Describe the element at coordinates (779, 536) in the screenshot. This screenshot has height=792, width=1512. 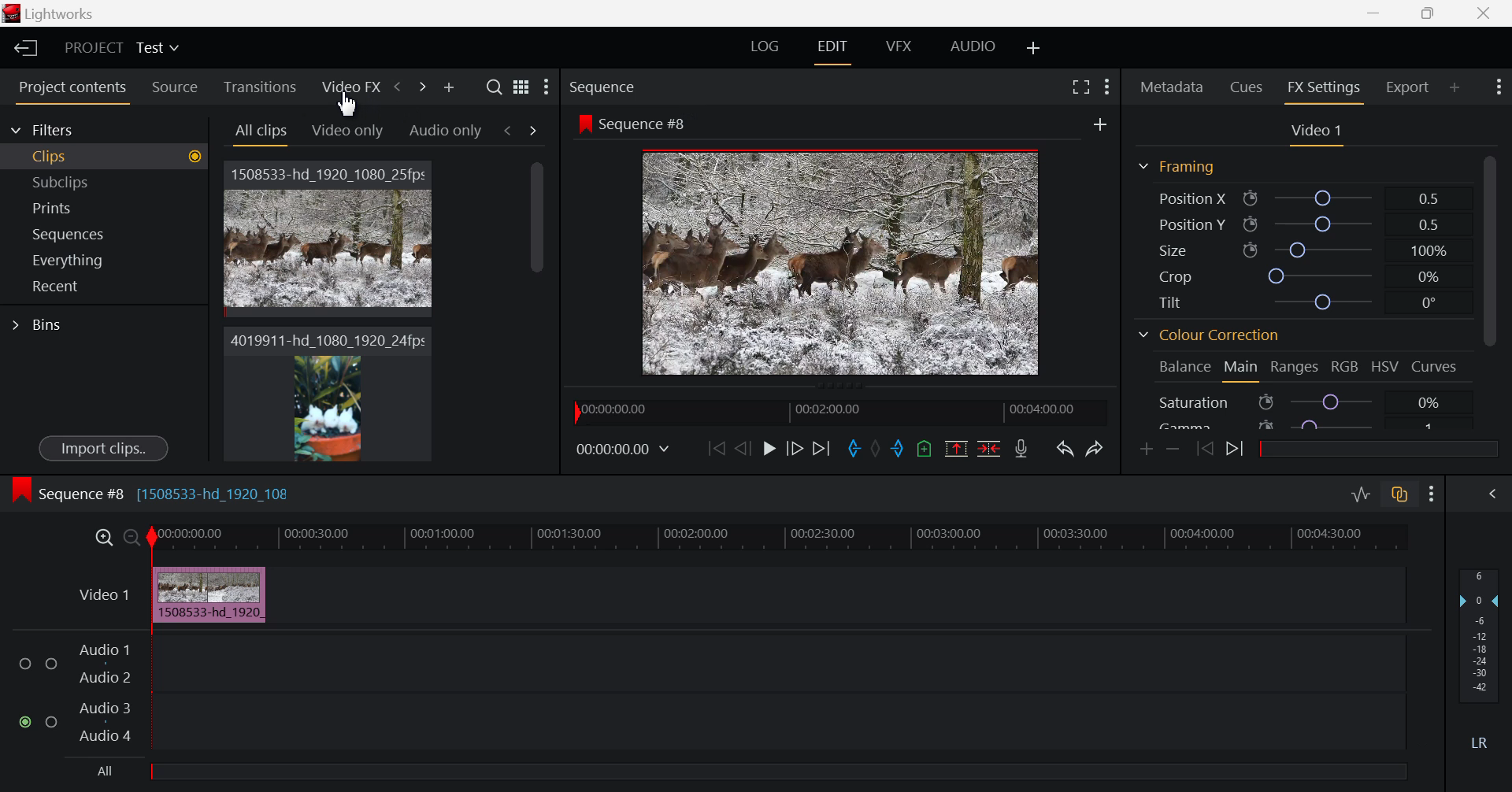
I see `Project Timeline` at that location.